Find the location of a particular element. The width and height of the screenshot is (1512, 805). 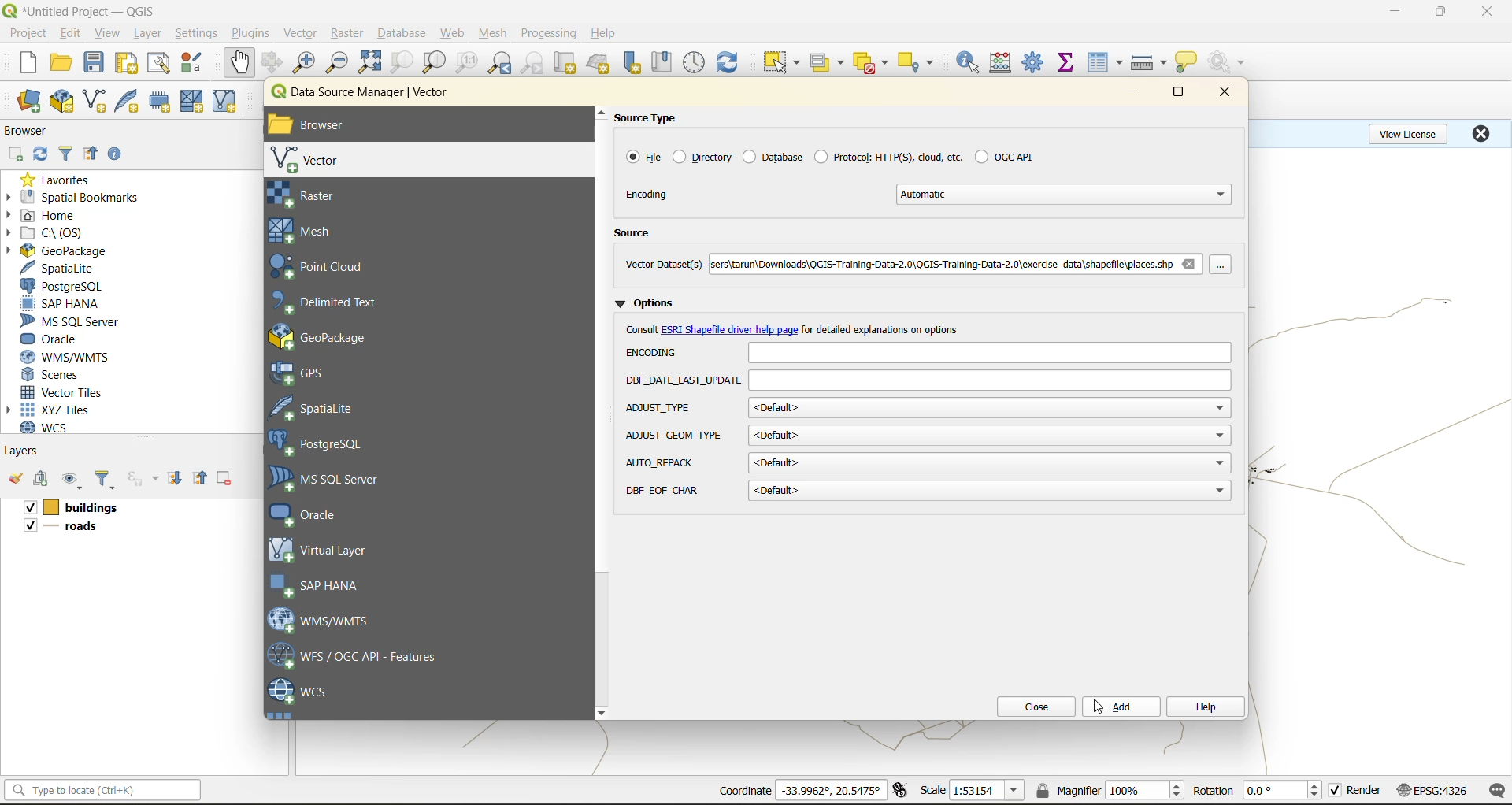

ogc api is located at coordinates (1004, 156).